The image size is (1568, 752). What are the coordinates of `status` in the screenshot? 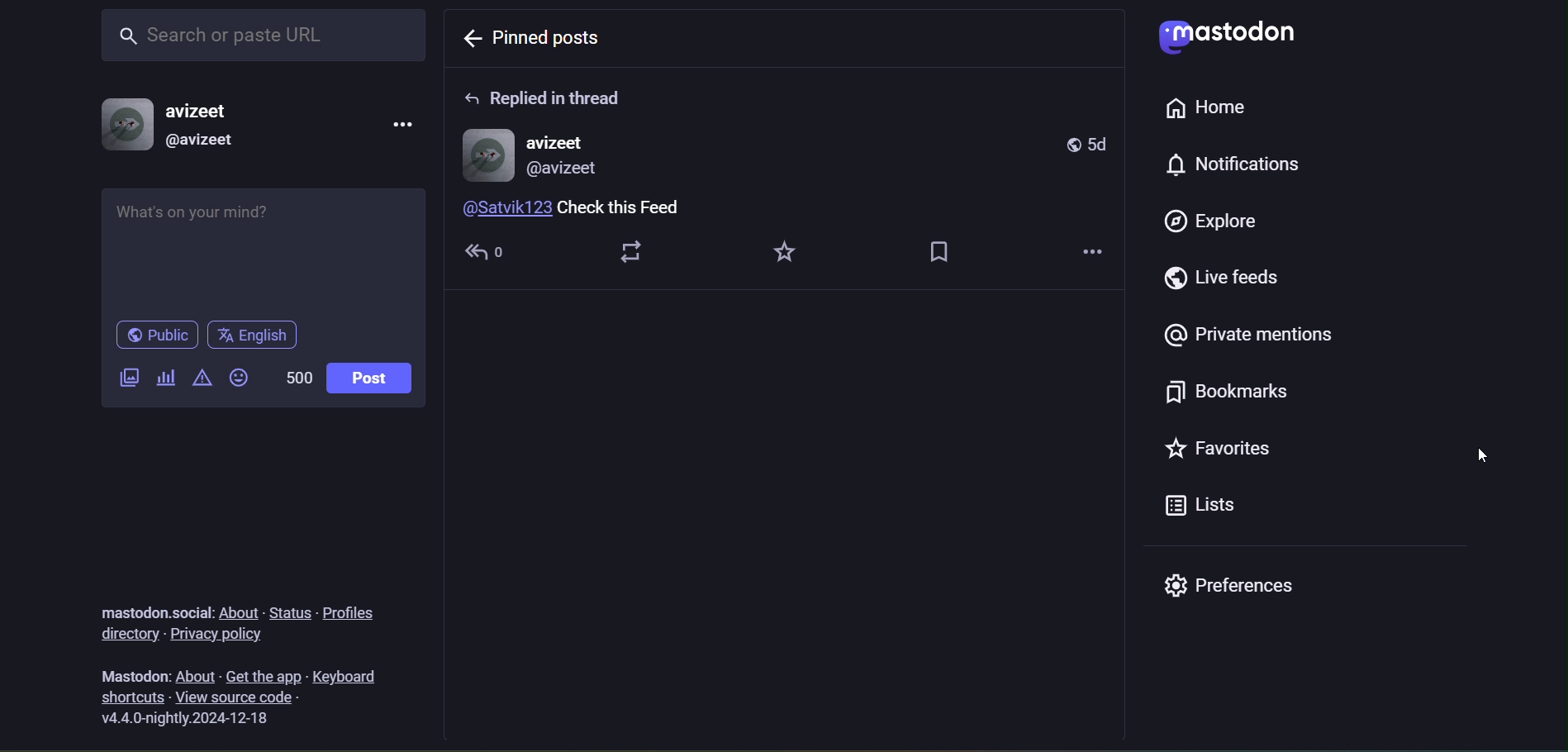 It's located at (287, 609).